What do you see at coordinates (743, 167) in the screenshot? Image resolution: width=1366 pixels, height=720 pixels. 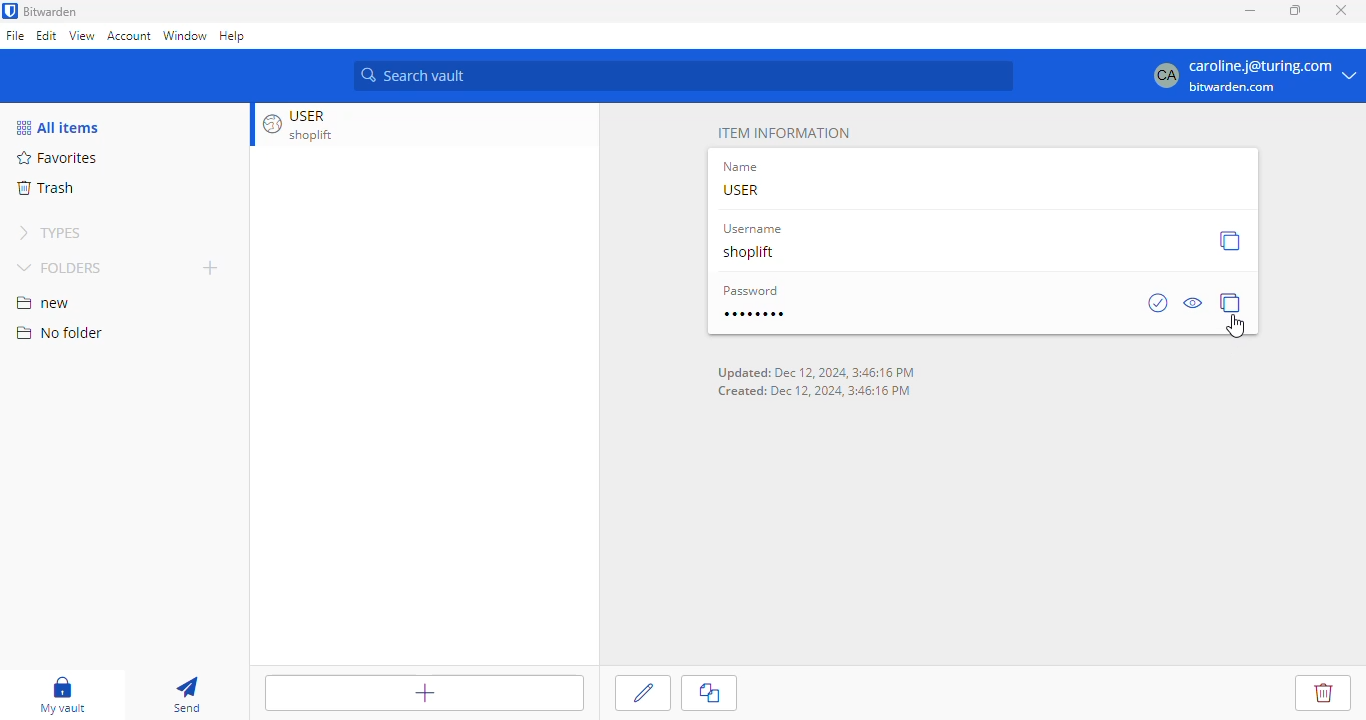 I see `name` at bounding box center [743, 167].